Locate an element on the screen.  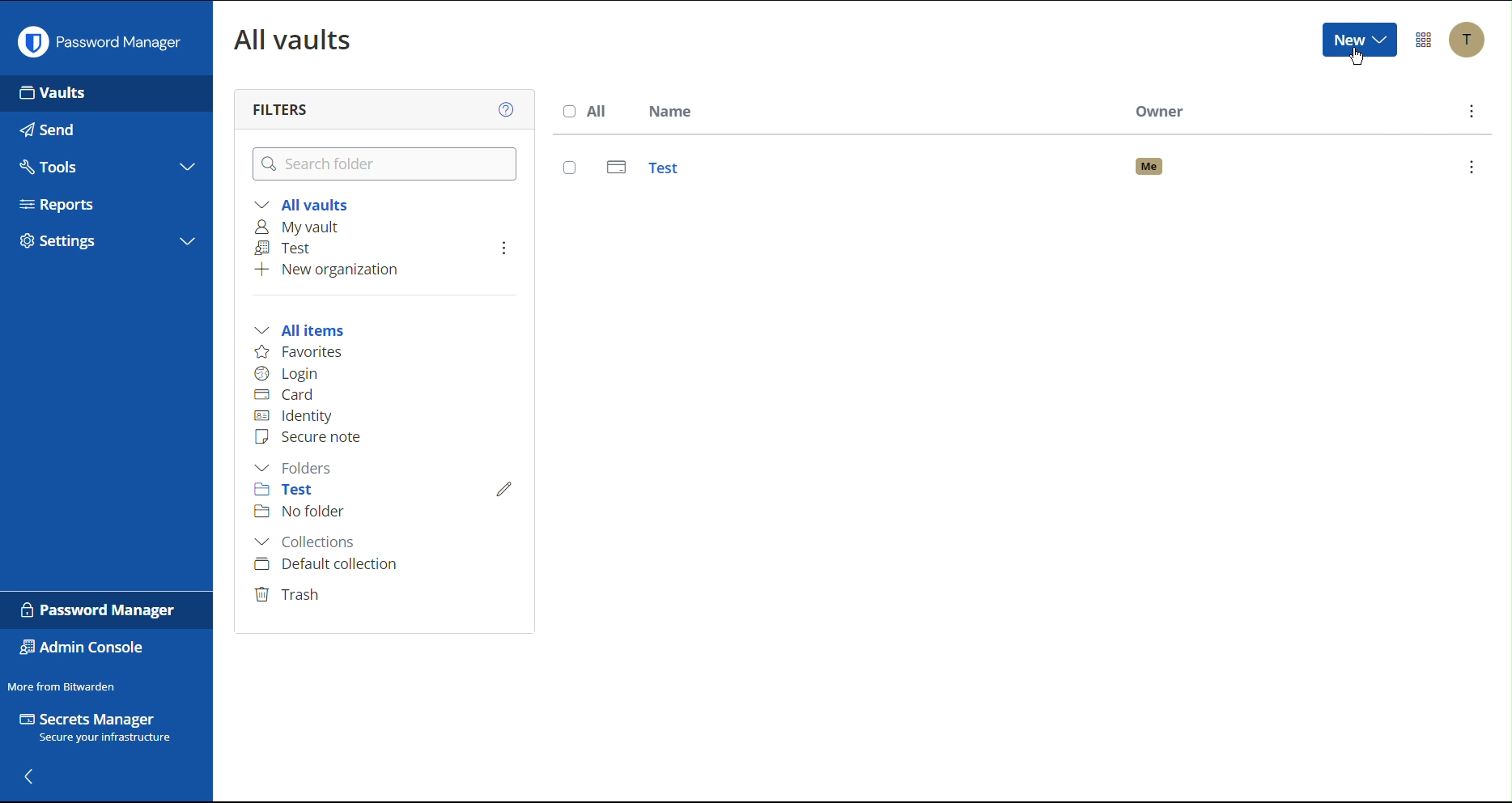
All vaults is located at coordinates (301, 206).